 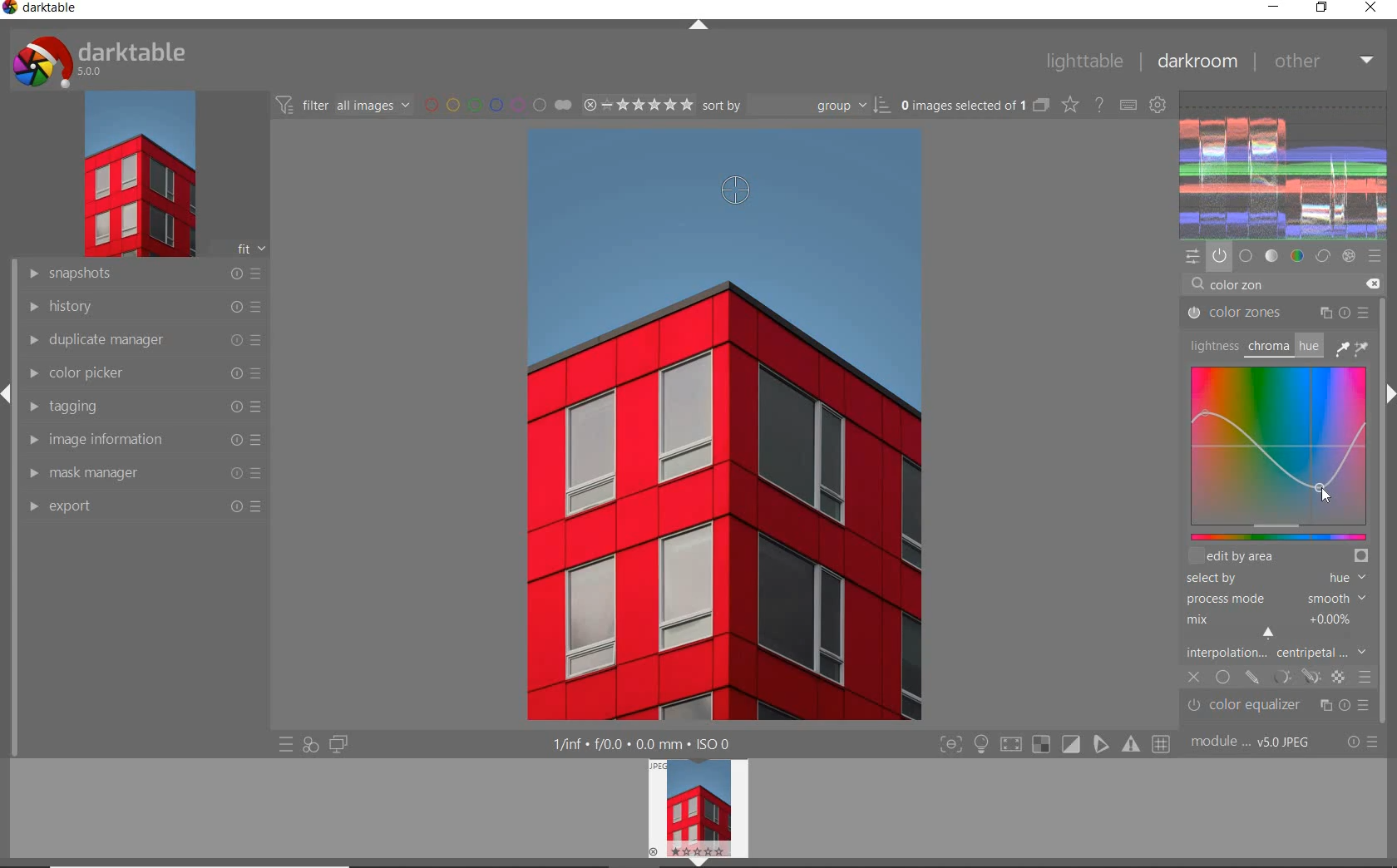 I want to click on correct, so click(x=1323, y=257).